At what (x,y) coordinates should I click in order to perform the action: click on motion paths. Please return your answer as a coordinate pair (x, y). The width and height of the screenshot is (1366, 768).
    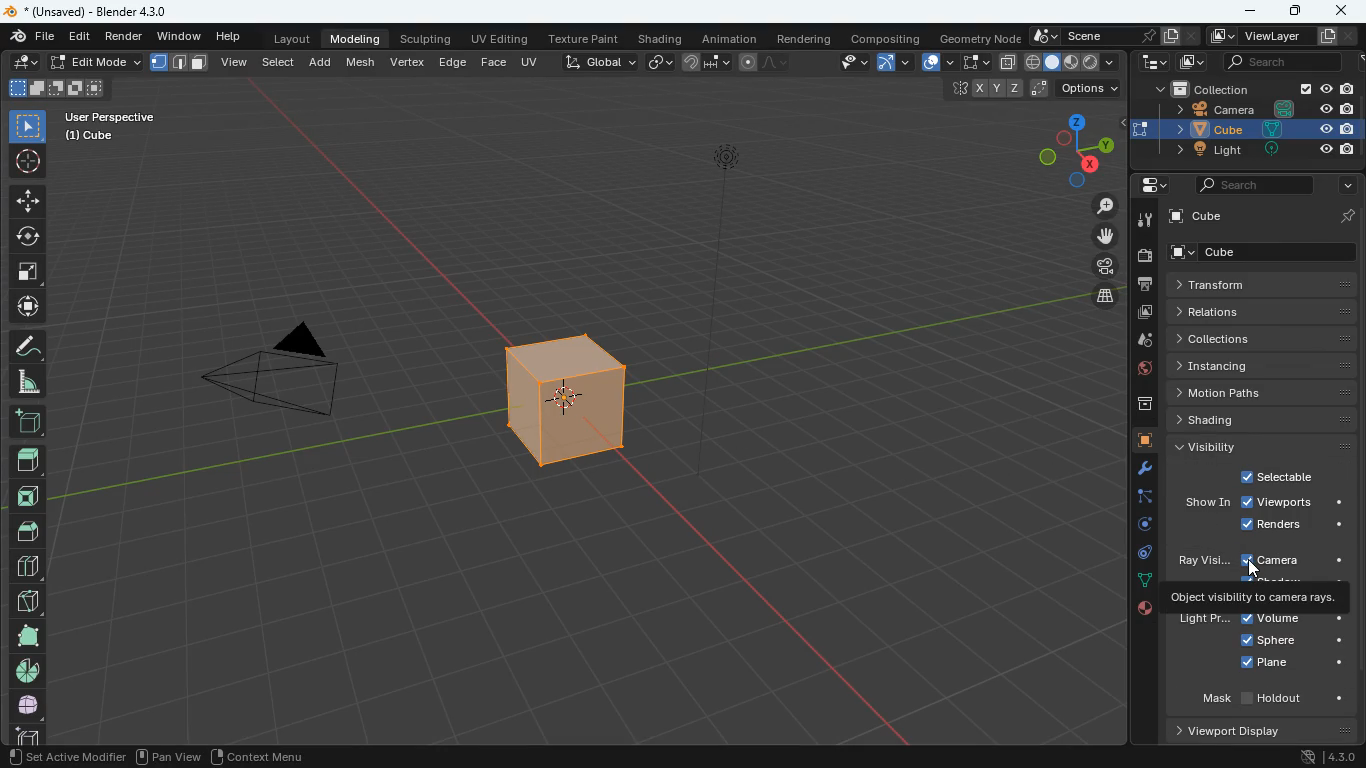
    Looking at the image, I should click on (1262, 394).